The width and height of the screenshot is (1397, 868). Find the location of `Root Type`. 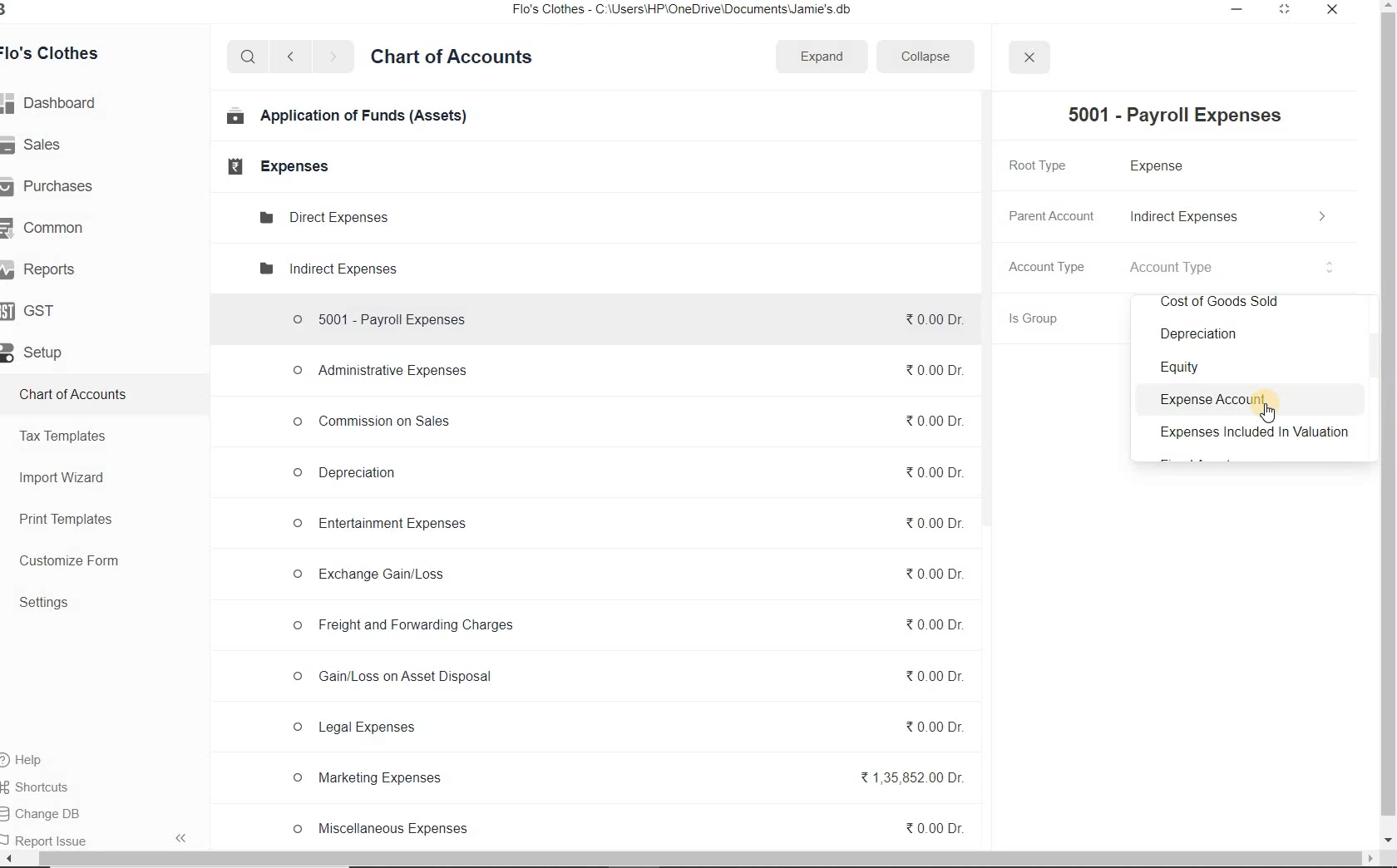

Root Type is located at coordinates (1050, 165).